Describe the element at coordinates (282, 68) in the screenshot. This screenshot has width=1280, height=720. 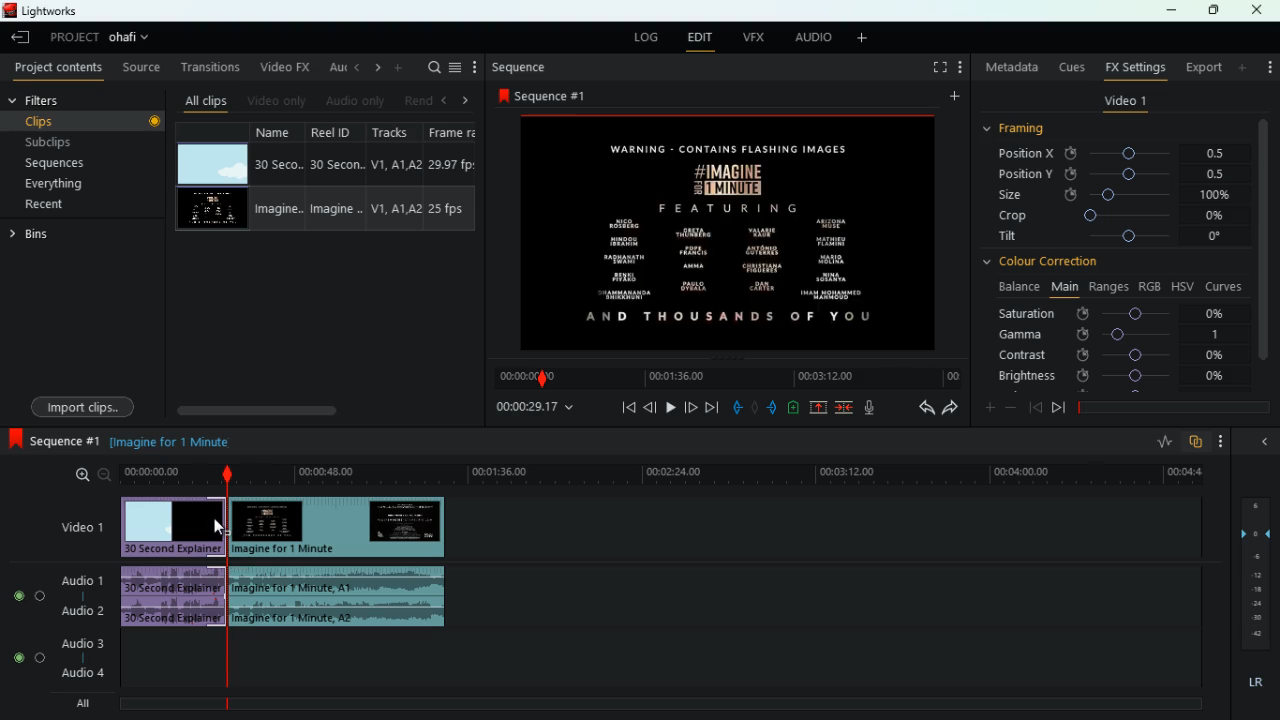
I see `video fx` at that location.